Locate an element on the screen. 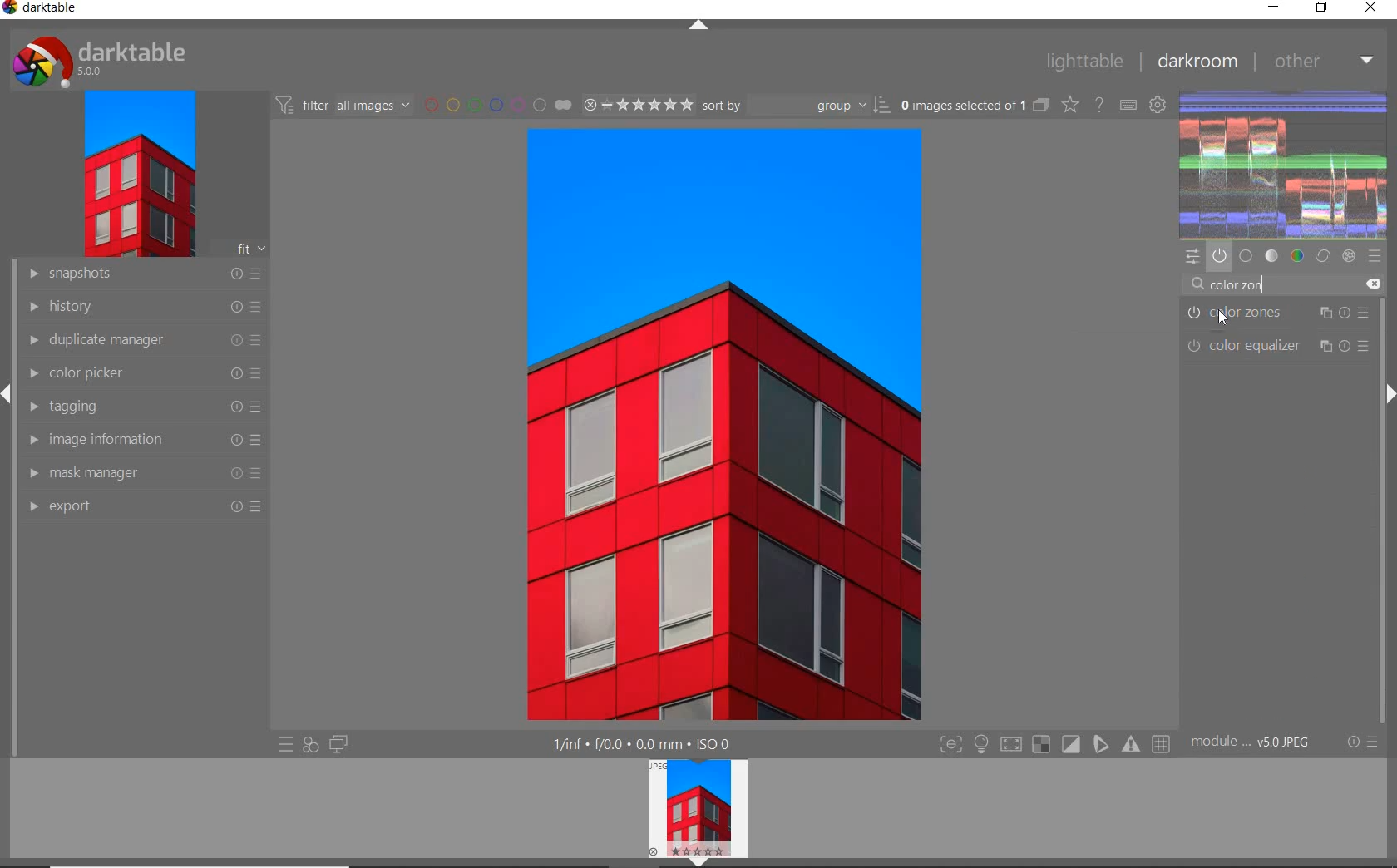  duplicate manager is located at coordinates (140, 342).